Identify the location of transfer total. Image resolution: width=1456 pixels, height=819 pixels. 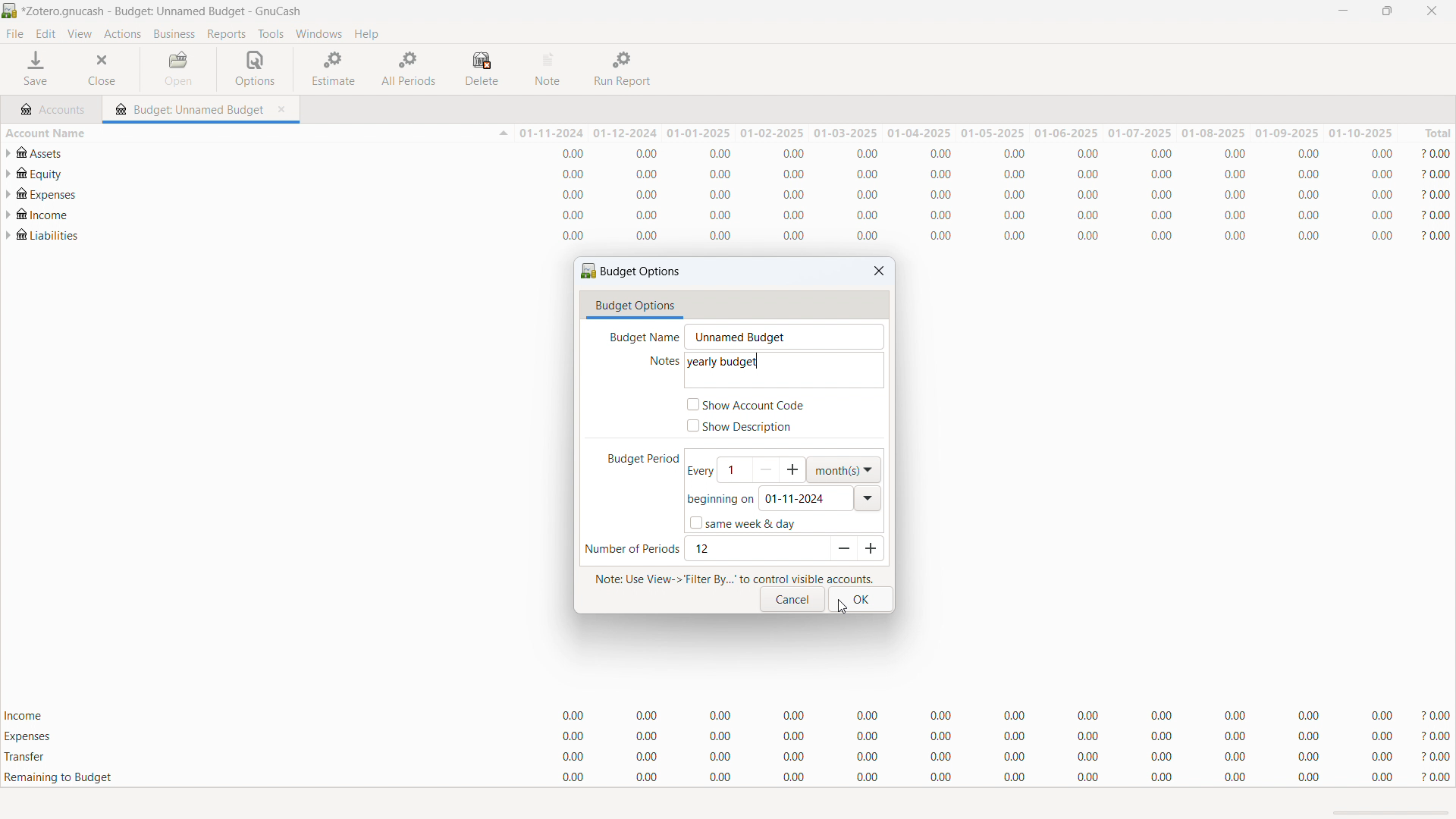
(728, 756).